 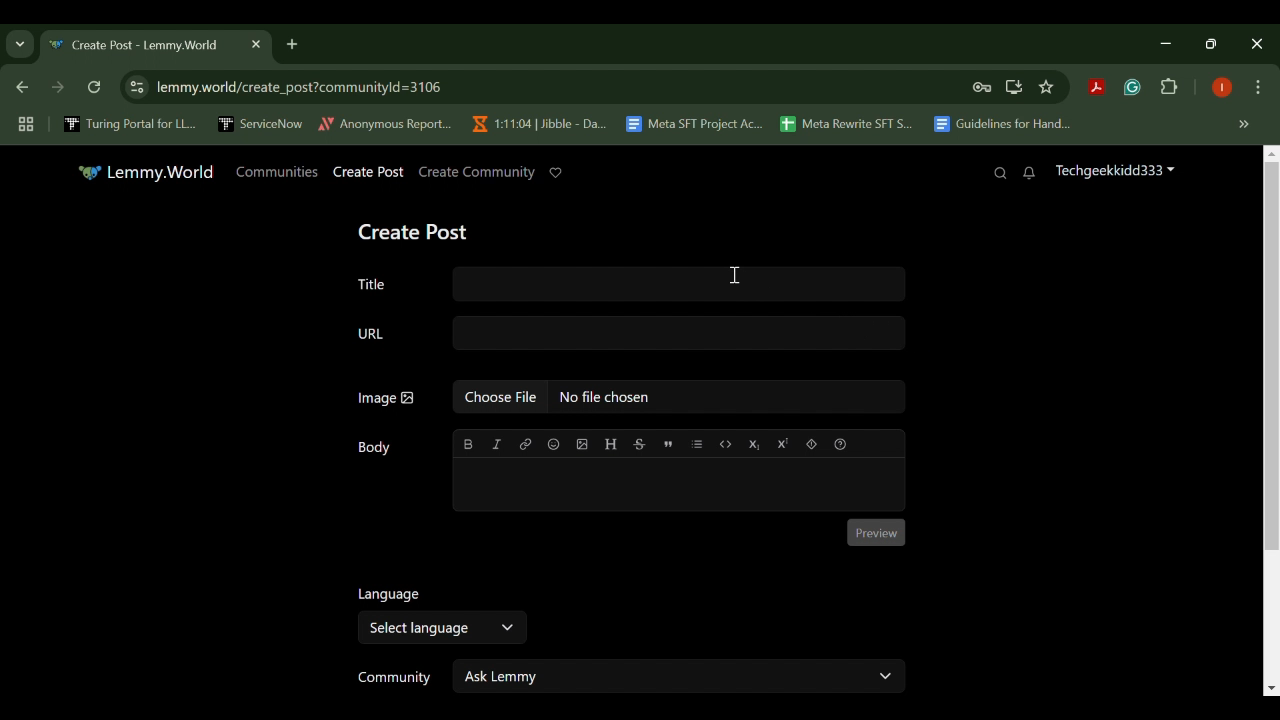 What do you see at coordinates (556, 173) in the screenshot?
I see `Donate to Lemmy` at bounding box center [556, 173].